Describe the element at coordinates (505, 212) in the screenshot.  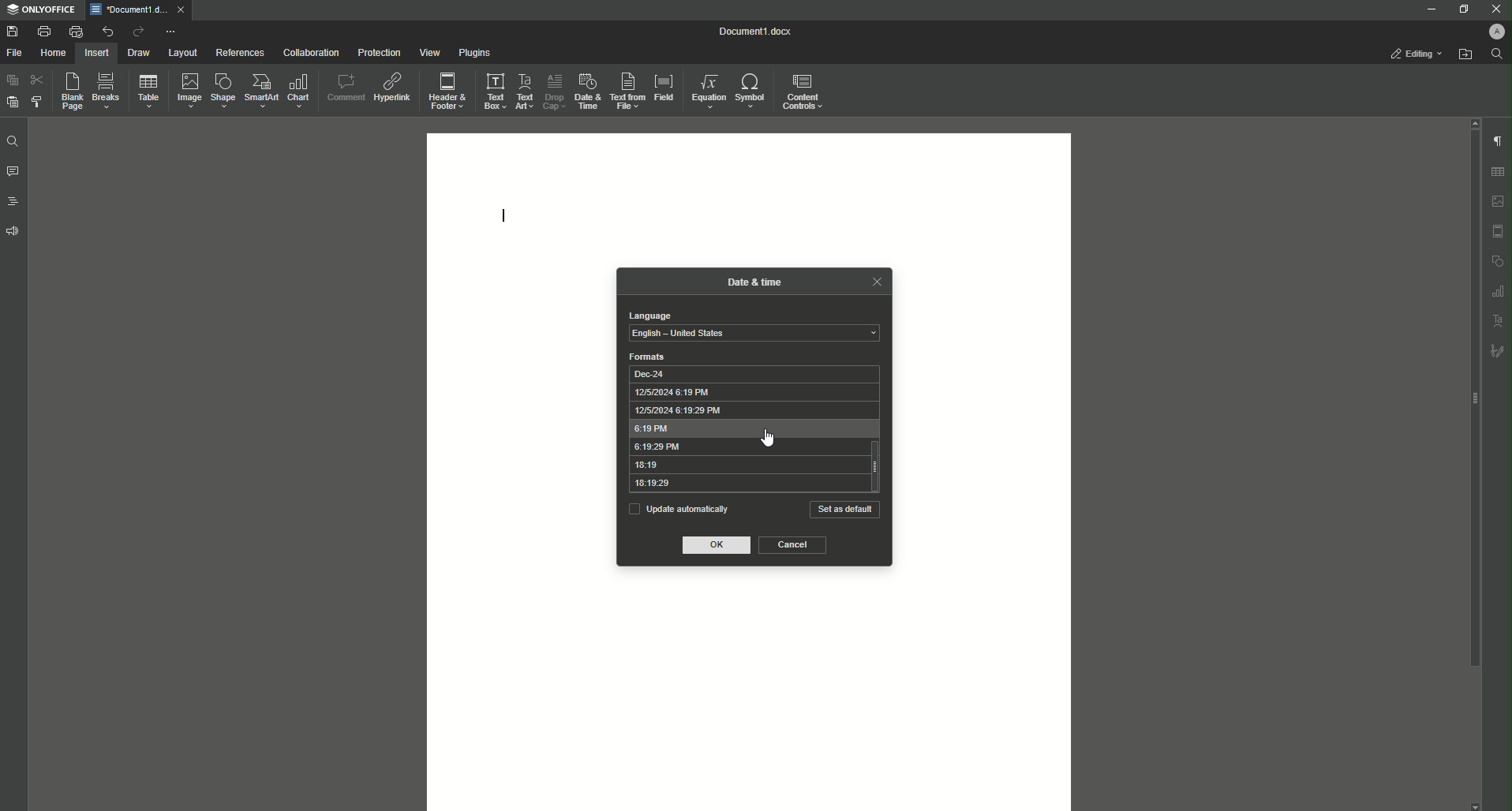
I see `Text Line` at that location.